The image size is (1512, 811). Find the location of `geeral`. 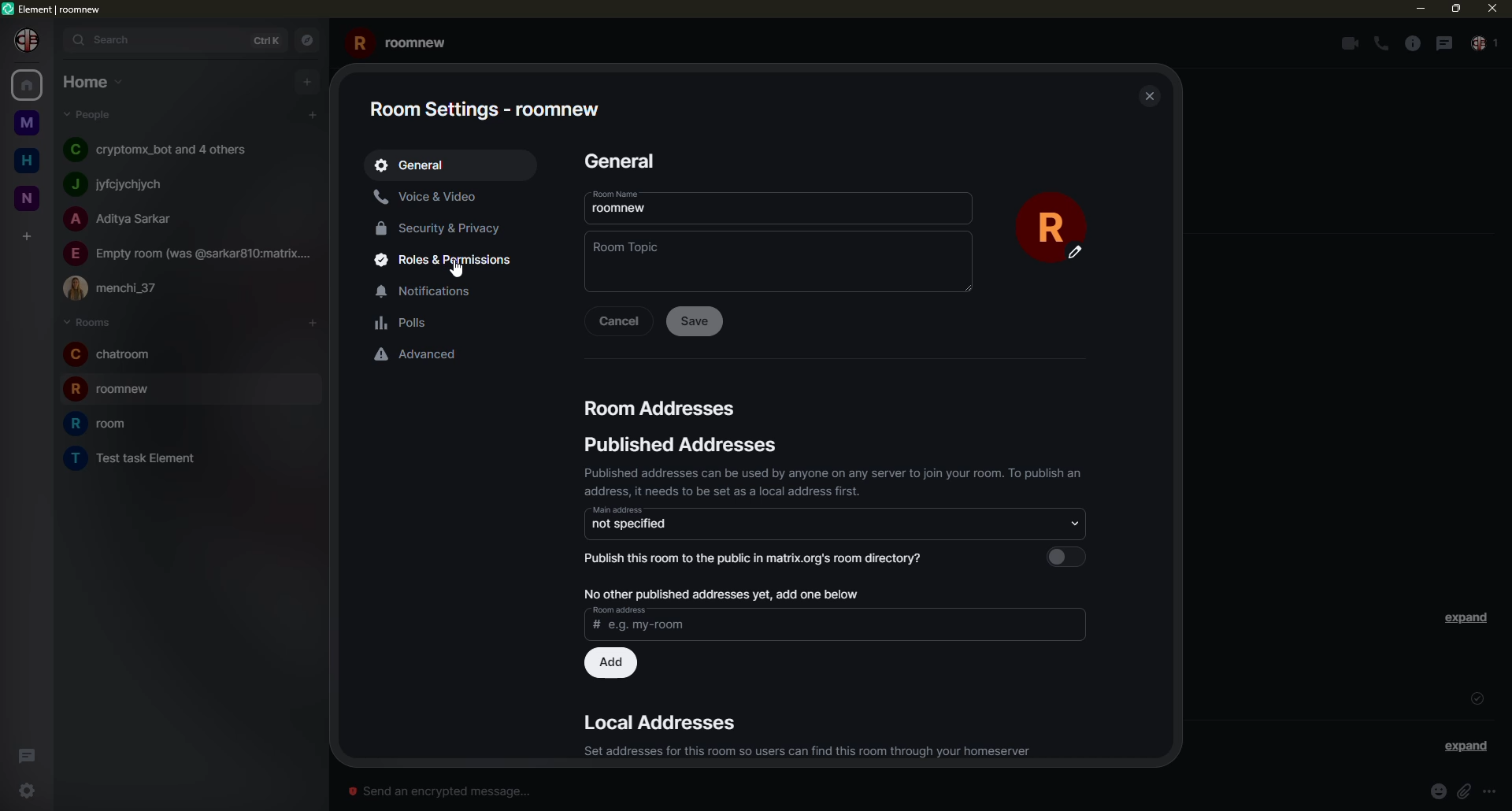

geeral is located at coordinates (412, 165).